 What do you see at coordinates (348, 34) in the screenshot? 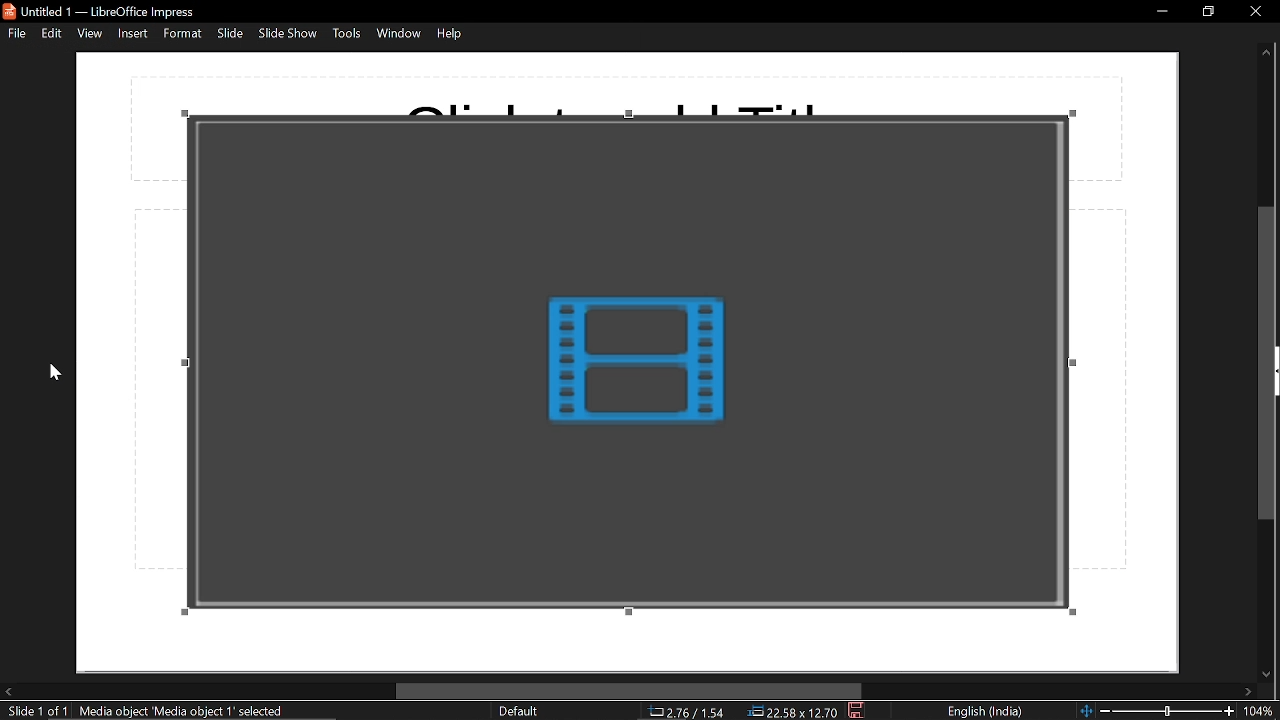
I see `tools` at bounding box center [348, 34].